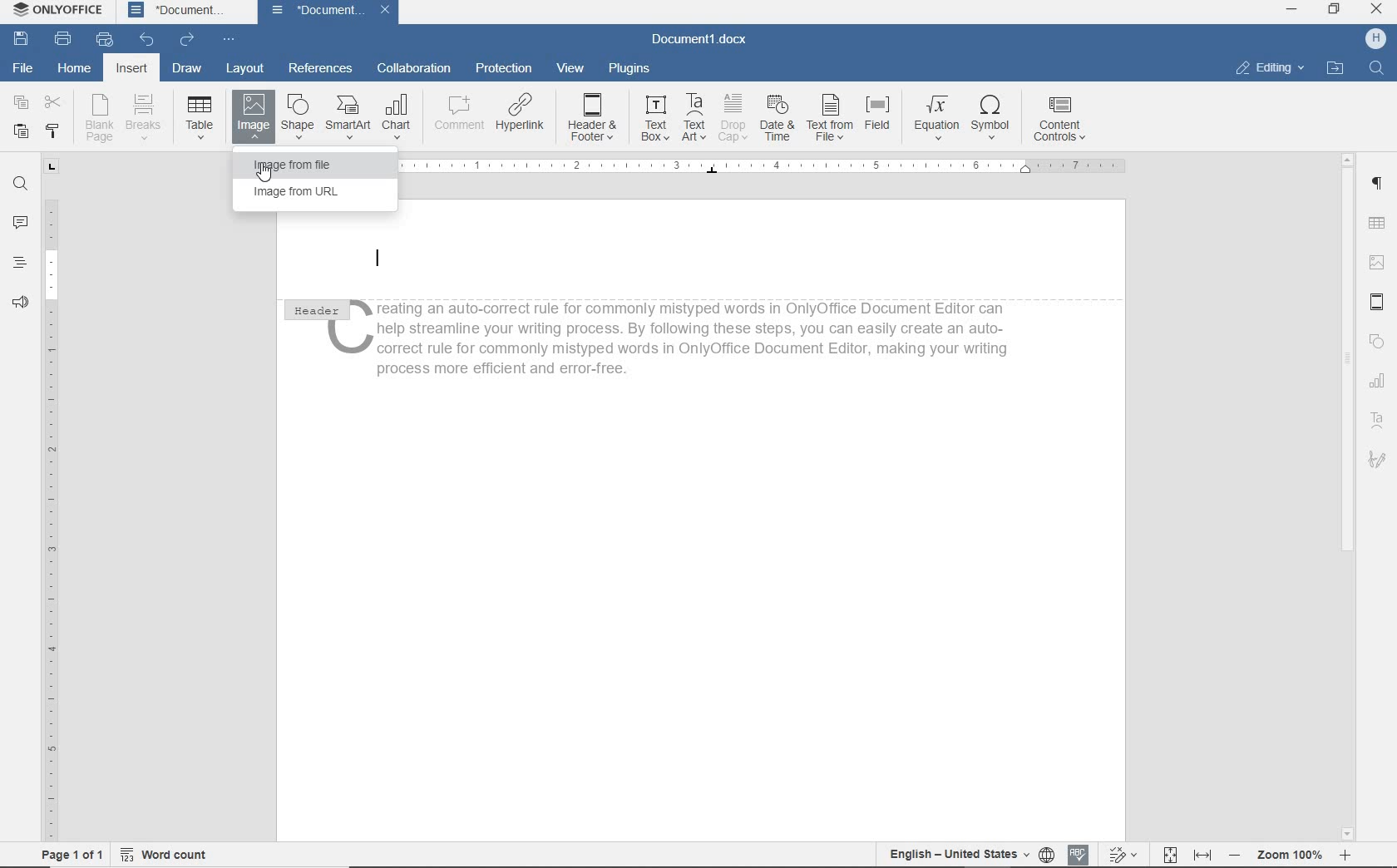 This screenshot has width=1397, height=868. What do you see at coordinates (1378, 420) in the screenshot?
I see `text area` at bounding box center [1378, 420].